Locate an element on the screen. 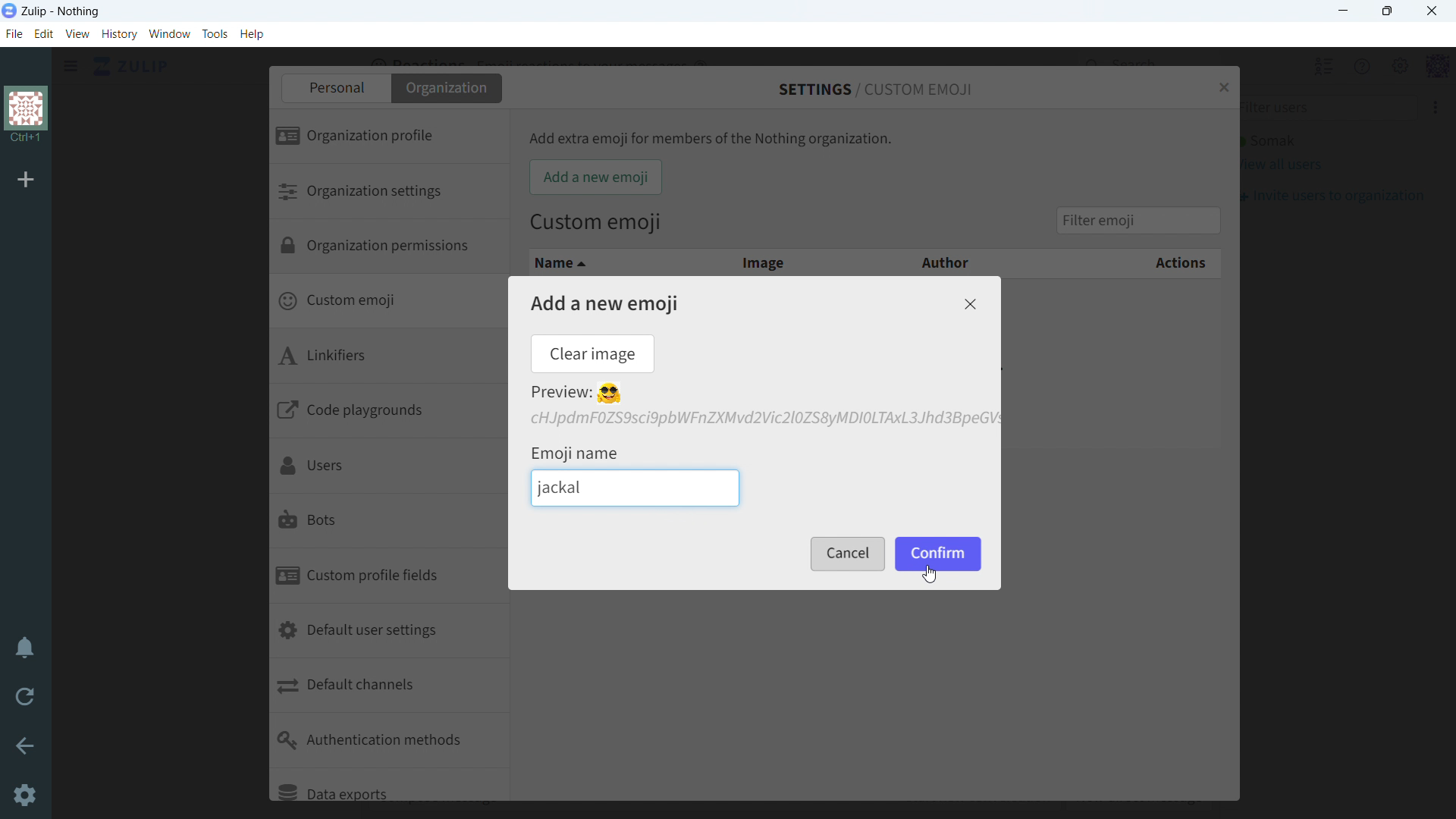  Add extra emoji for members of the Nothing organization. is located at coordinates (711, 139).